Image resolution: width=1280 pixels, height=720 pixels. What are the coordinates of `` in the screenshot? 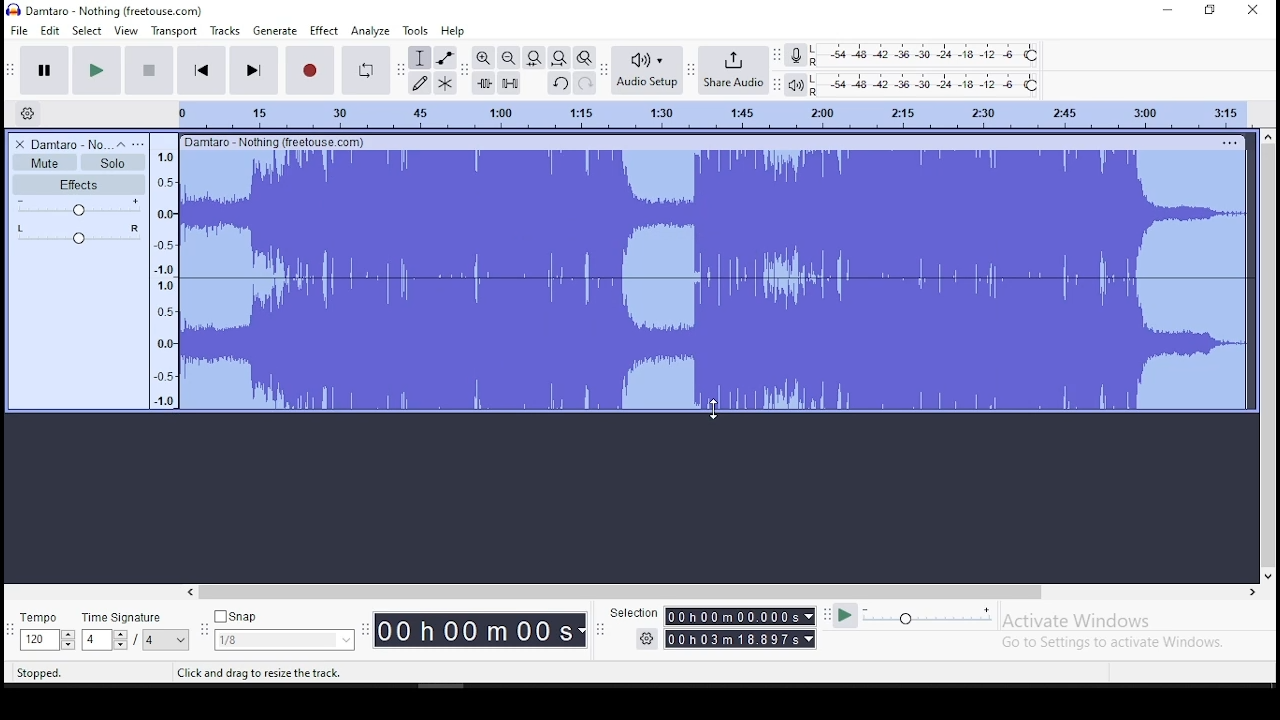 It's located at (604, 69).